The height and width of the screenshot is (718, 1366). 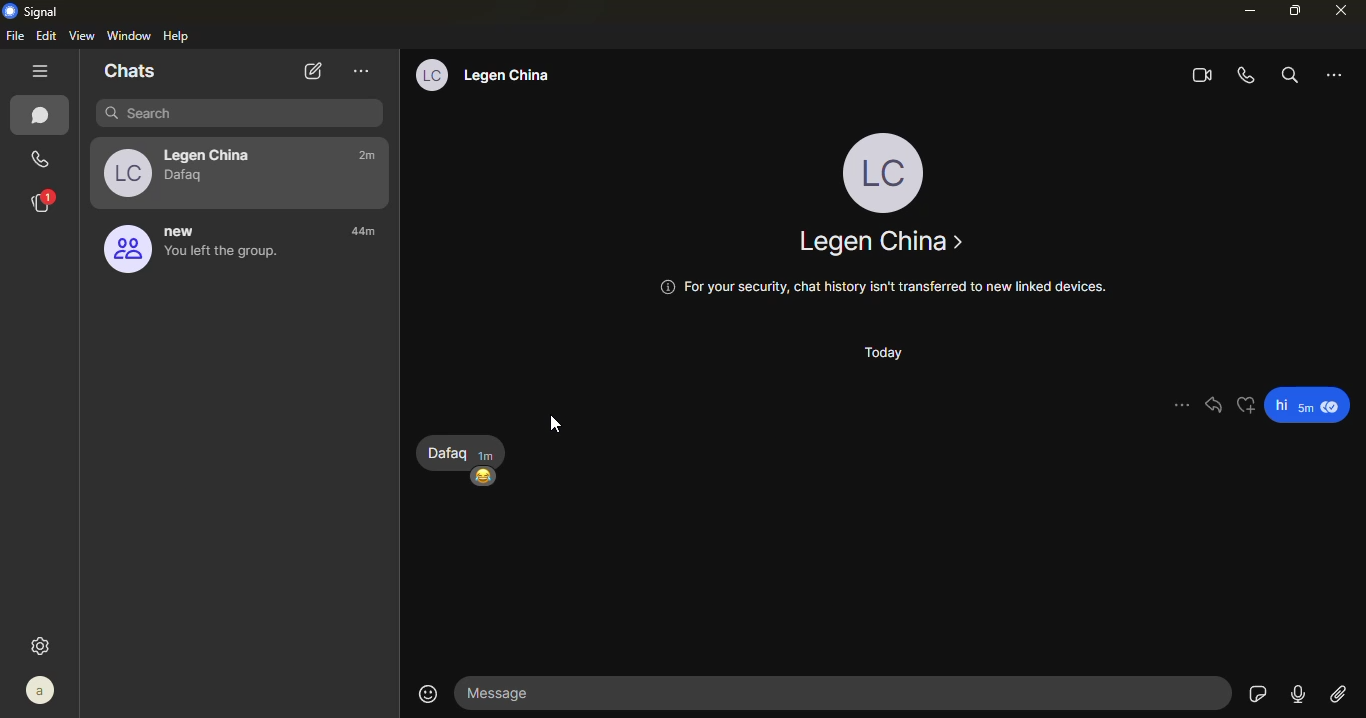 I want to click on today, so click(x=880, y=354).